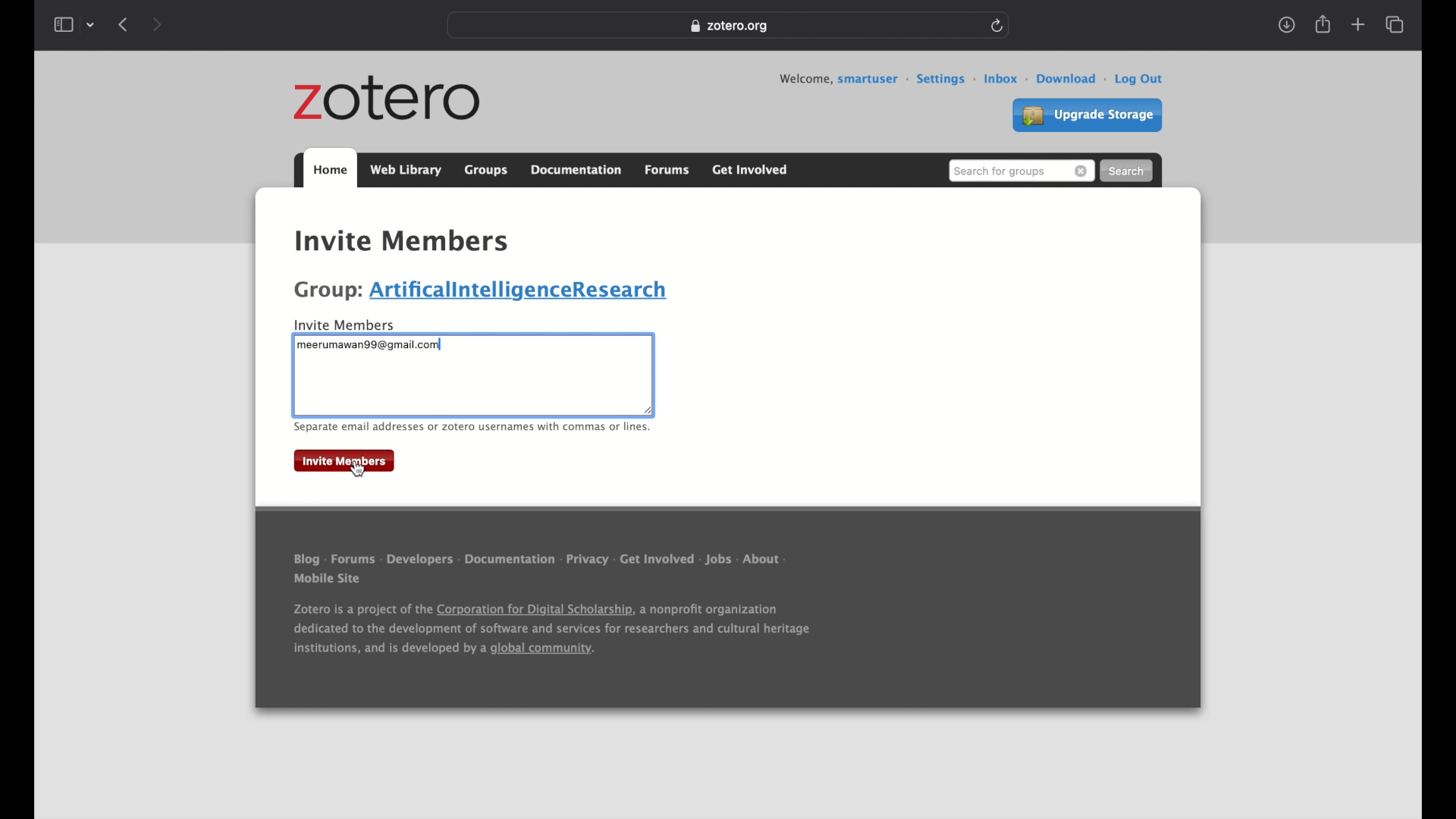 Image resolution: width=1456 pixels, height=819 pixels. I want to click on show tab overview, so click(1396, 25).